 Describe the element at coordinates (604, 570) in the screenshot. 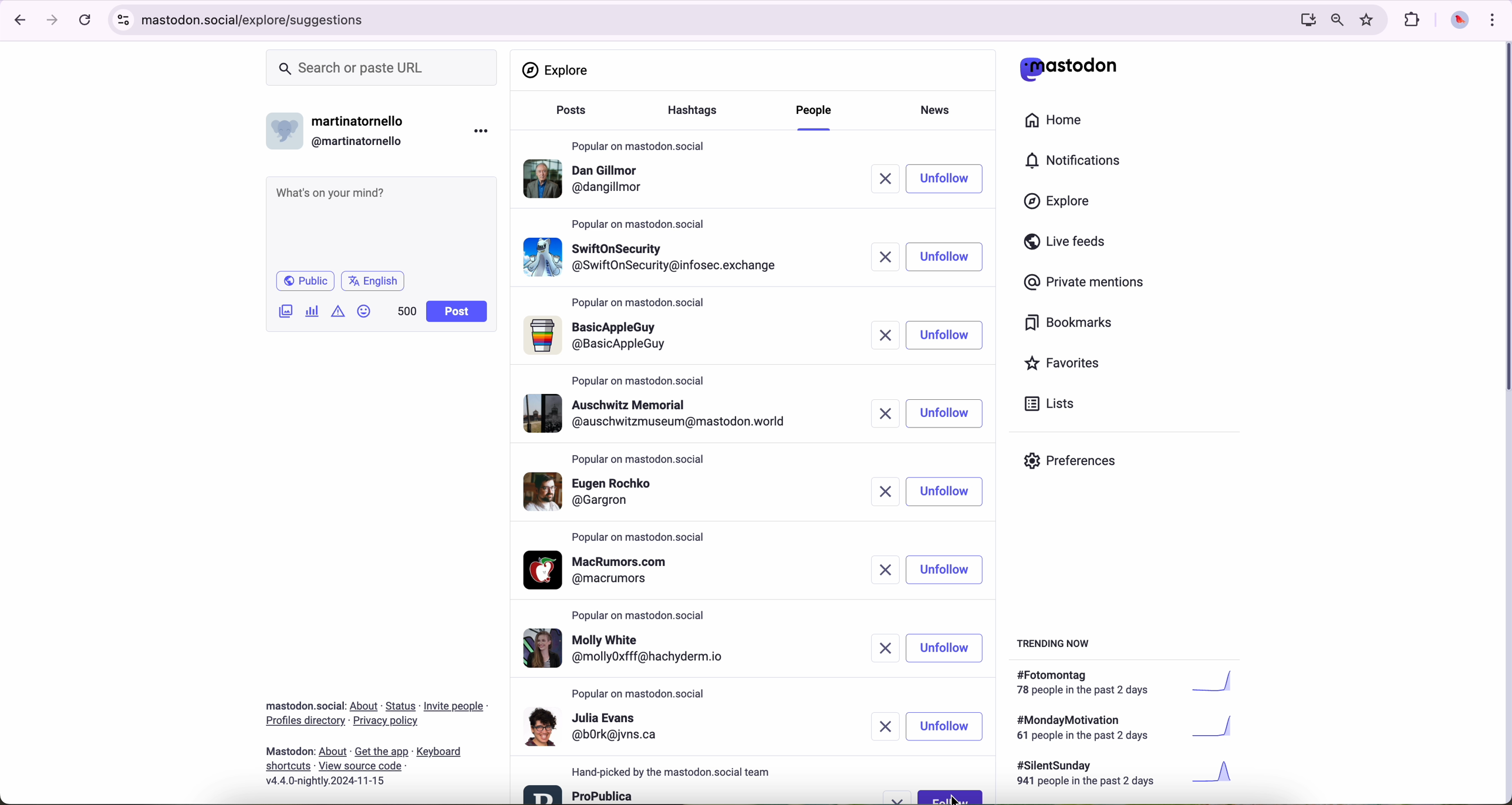

I see `profile` at that location.